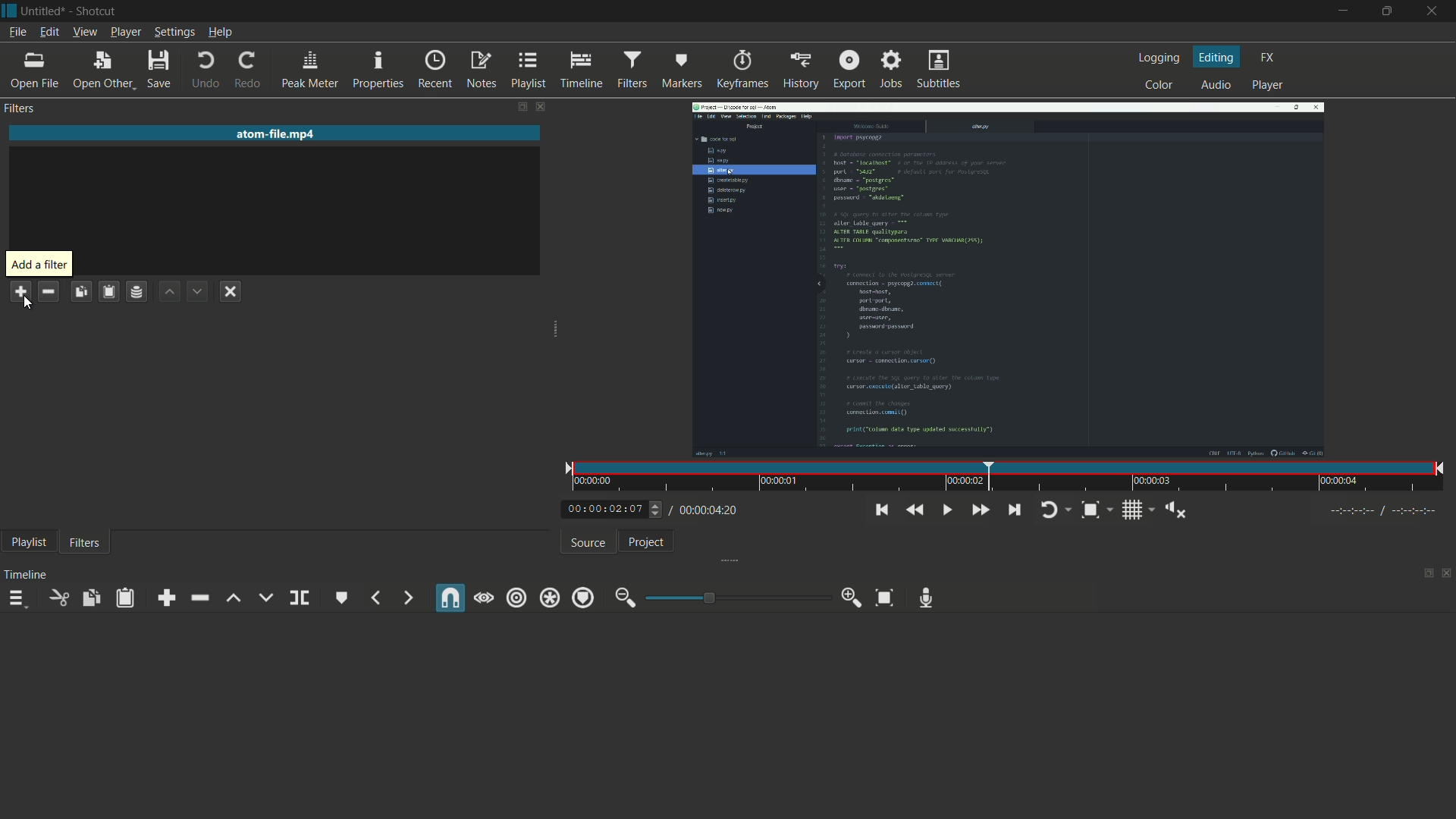 The image size is (1456, 819). What do you see at coordinates (885, 598) in the screenshot?
I see `zoom timeline to fit` at bounding box center [885, 598].